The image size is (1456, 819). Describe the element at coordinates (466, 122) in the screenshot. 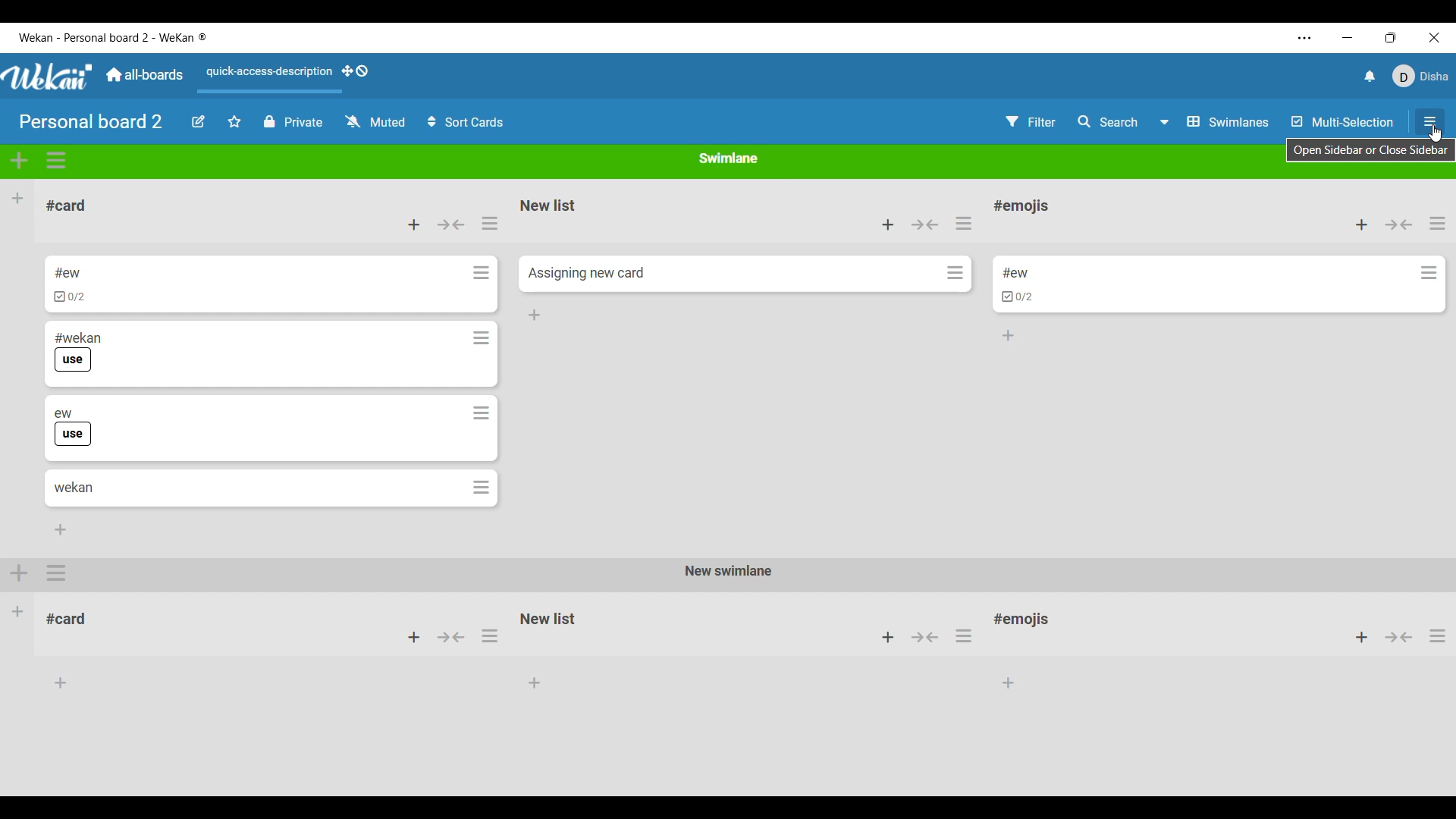

I see `Sort cards` at that location.